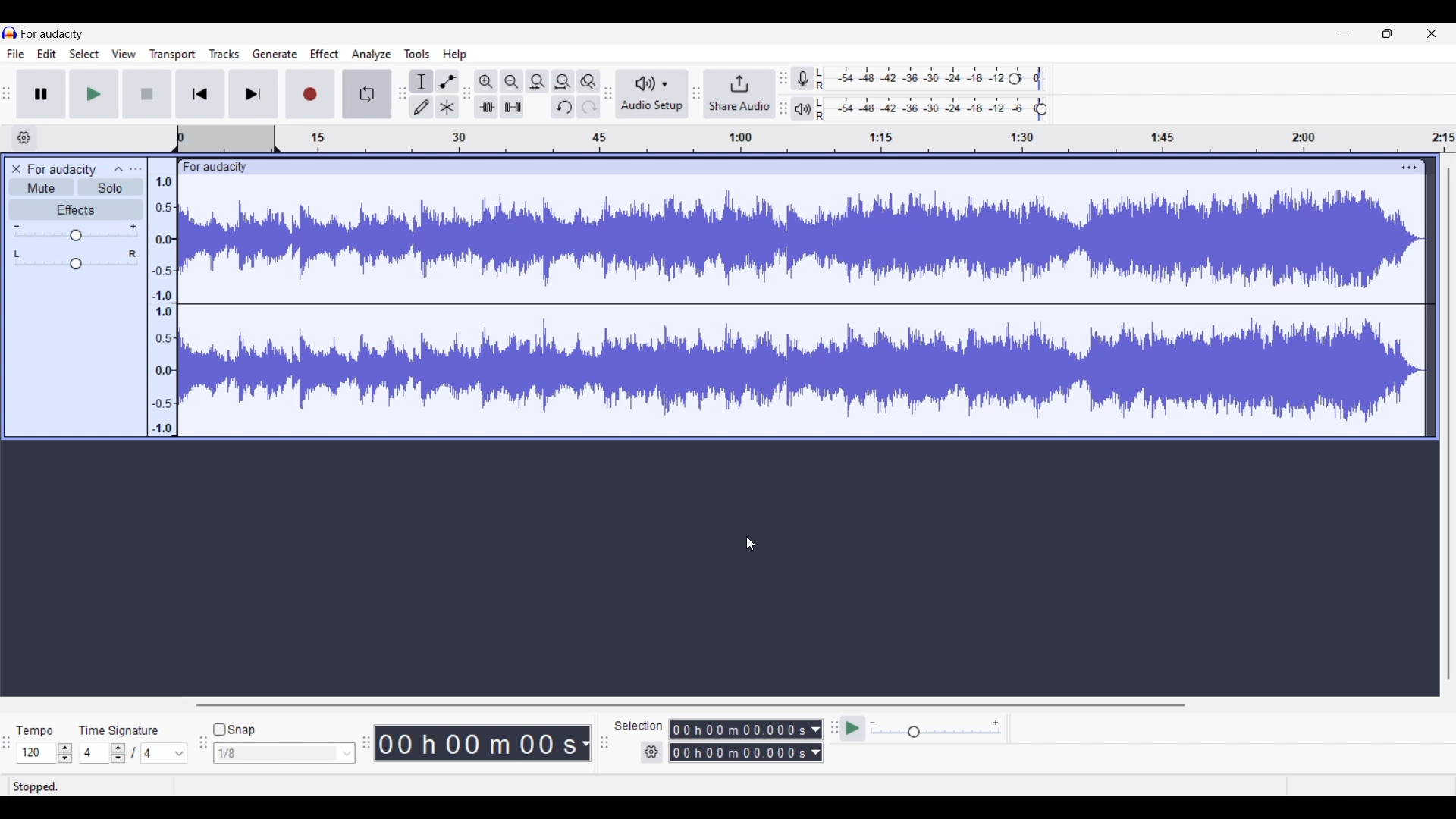  Describe the element at coordinates (650, 94) in the screenshot. I see `Audio setup` at that location.